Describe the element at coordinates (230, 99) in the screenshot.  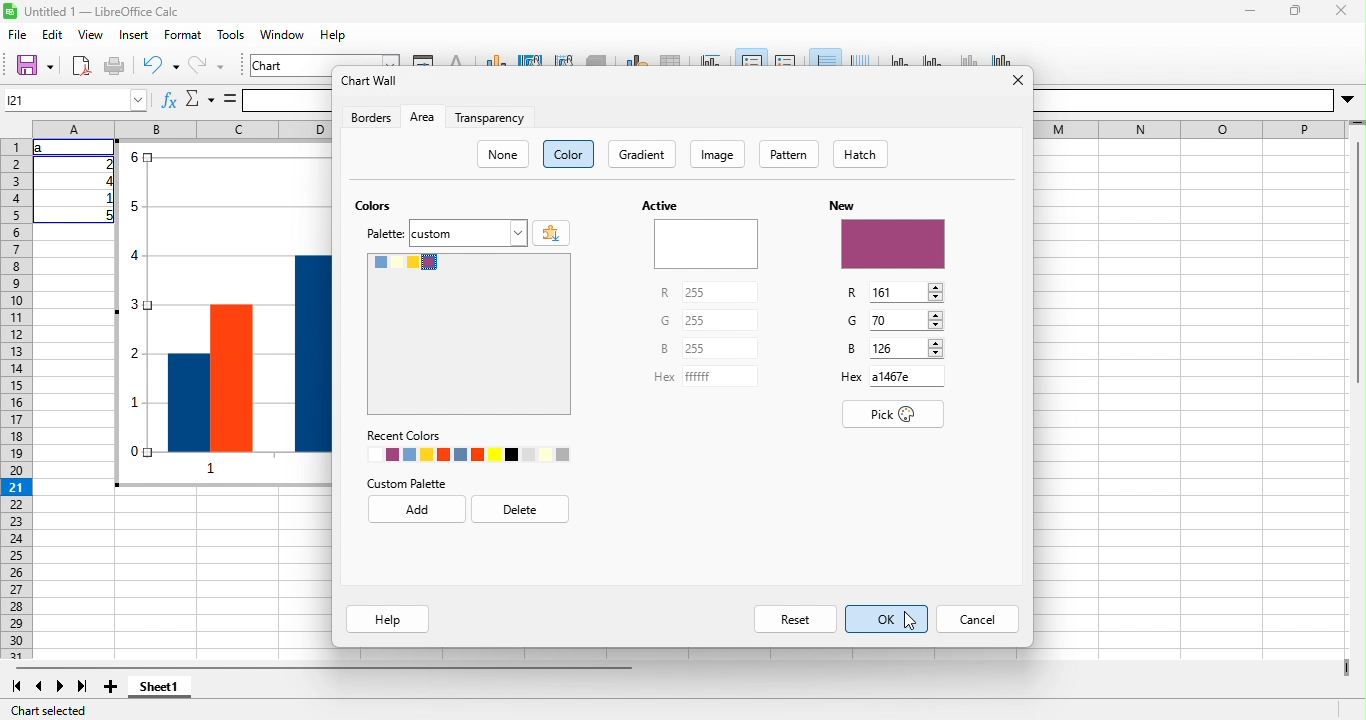
I see `is equal to symbol` at that location.